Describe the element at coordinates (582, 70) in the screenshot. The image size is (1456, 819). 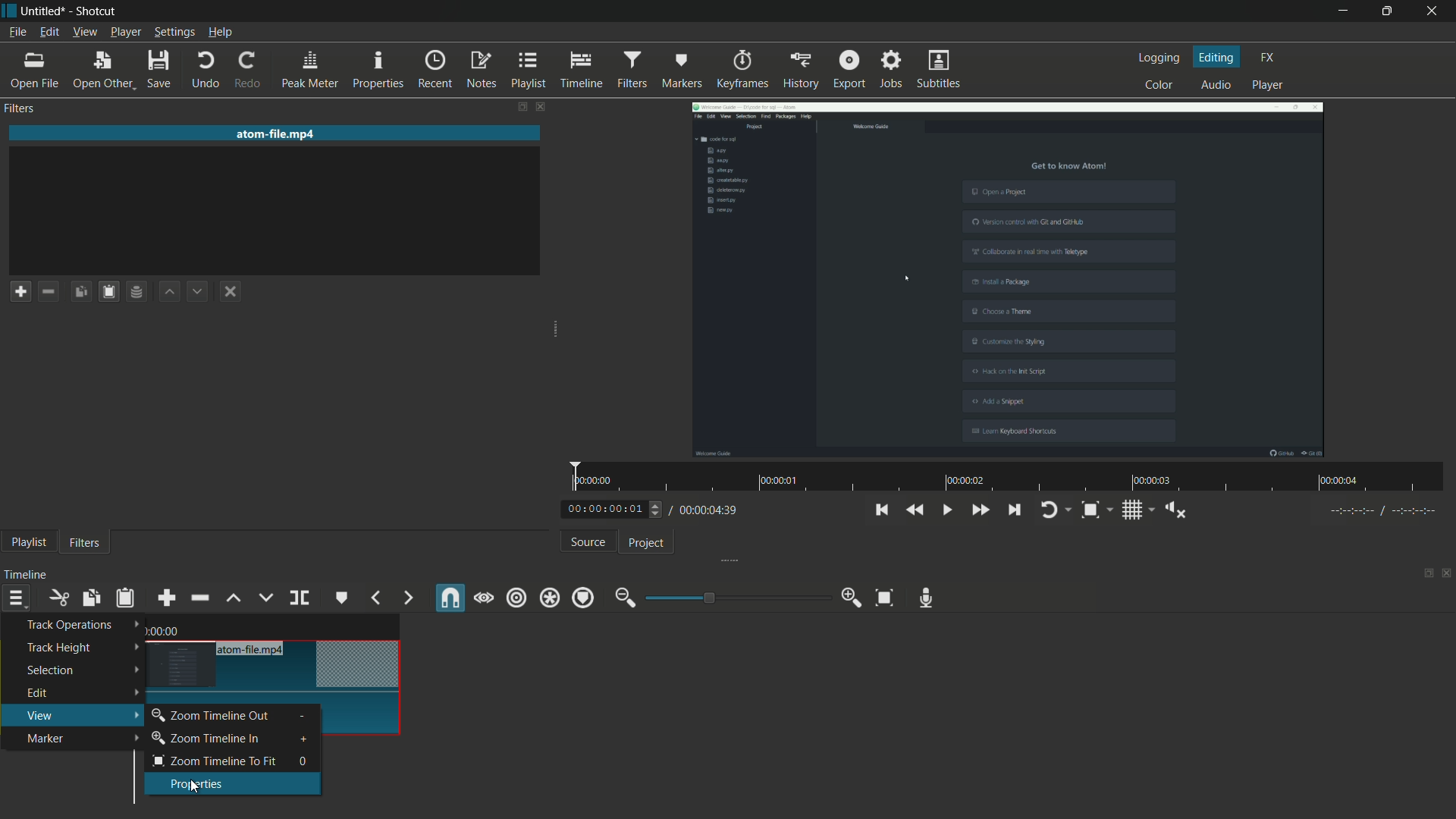
I see `timeline` at that location.